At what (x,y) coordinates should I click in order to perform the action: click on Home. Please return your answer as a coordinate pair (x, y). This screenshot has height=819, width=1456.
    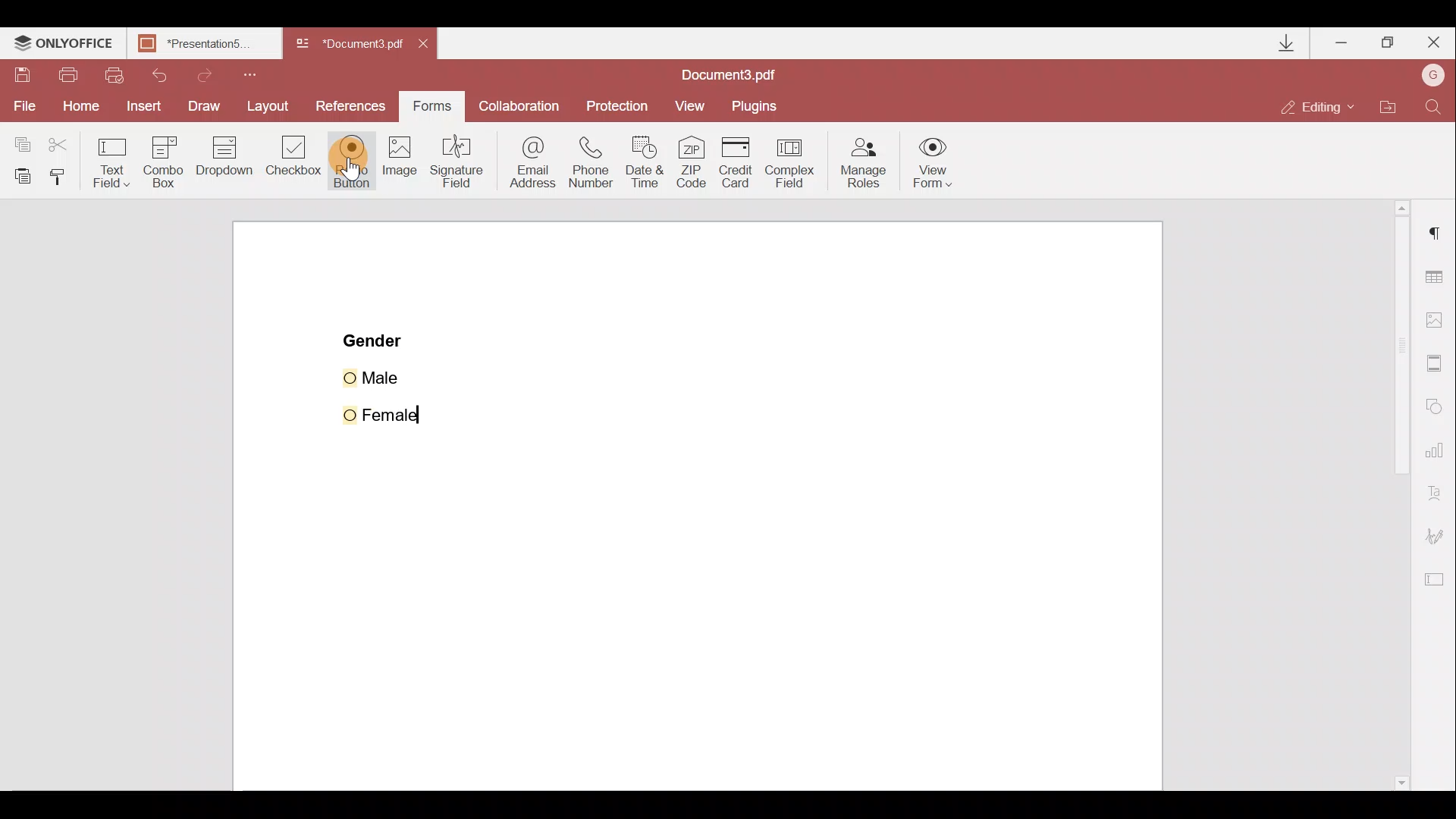
    Looking at the image, I should click on (77, 108).